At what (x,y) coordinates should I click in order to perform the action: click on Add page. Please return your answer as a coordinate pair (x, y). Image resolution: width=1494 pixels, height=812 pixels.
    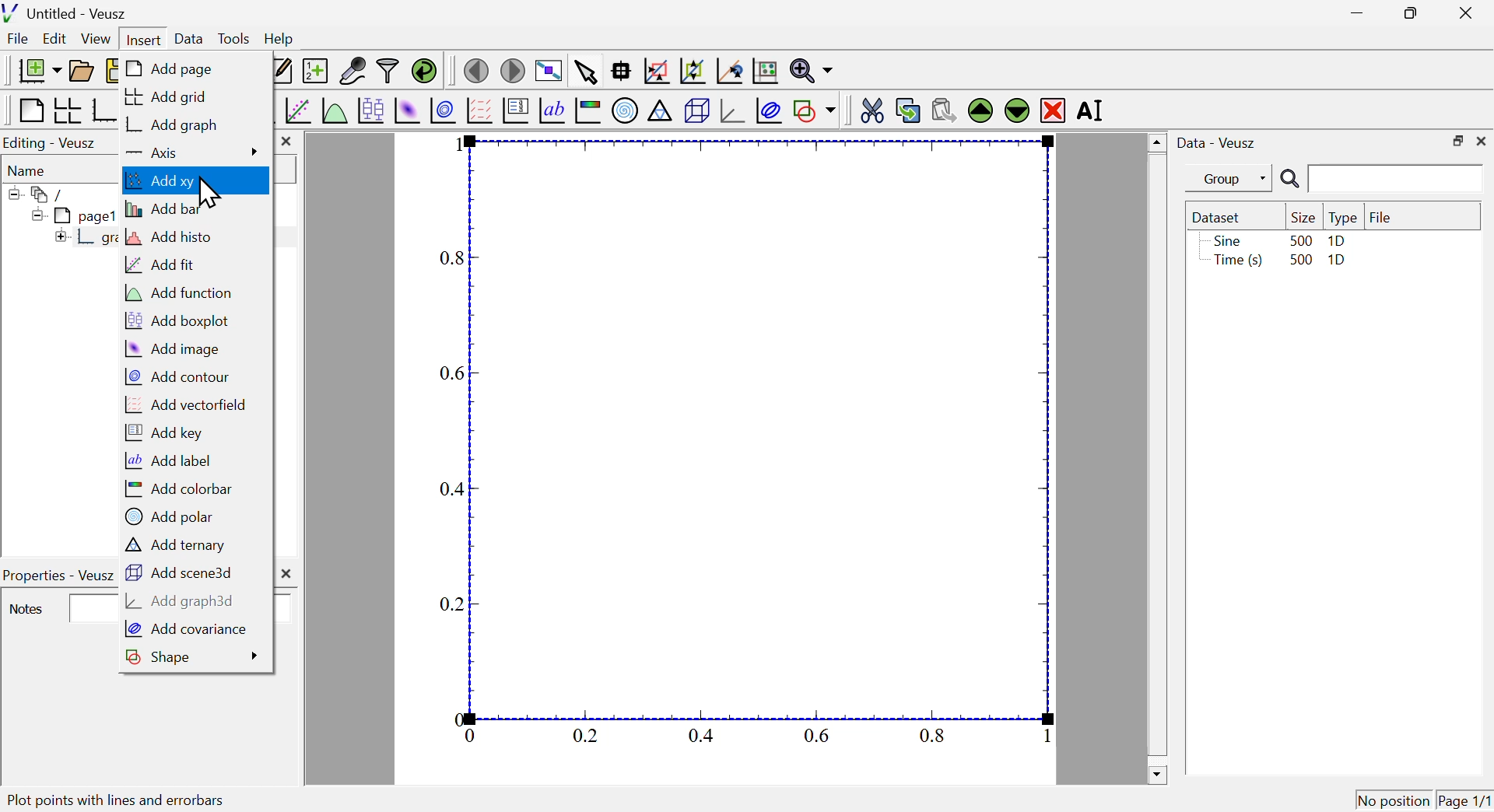
    Looking at the image, I should click on (175, 69).